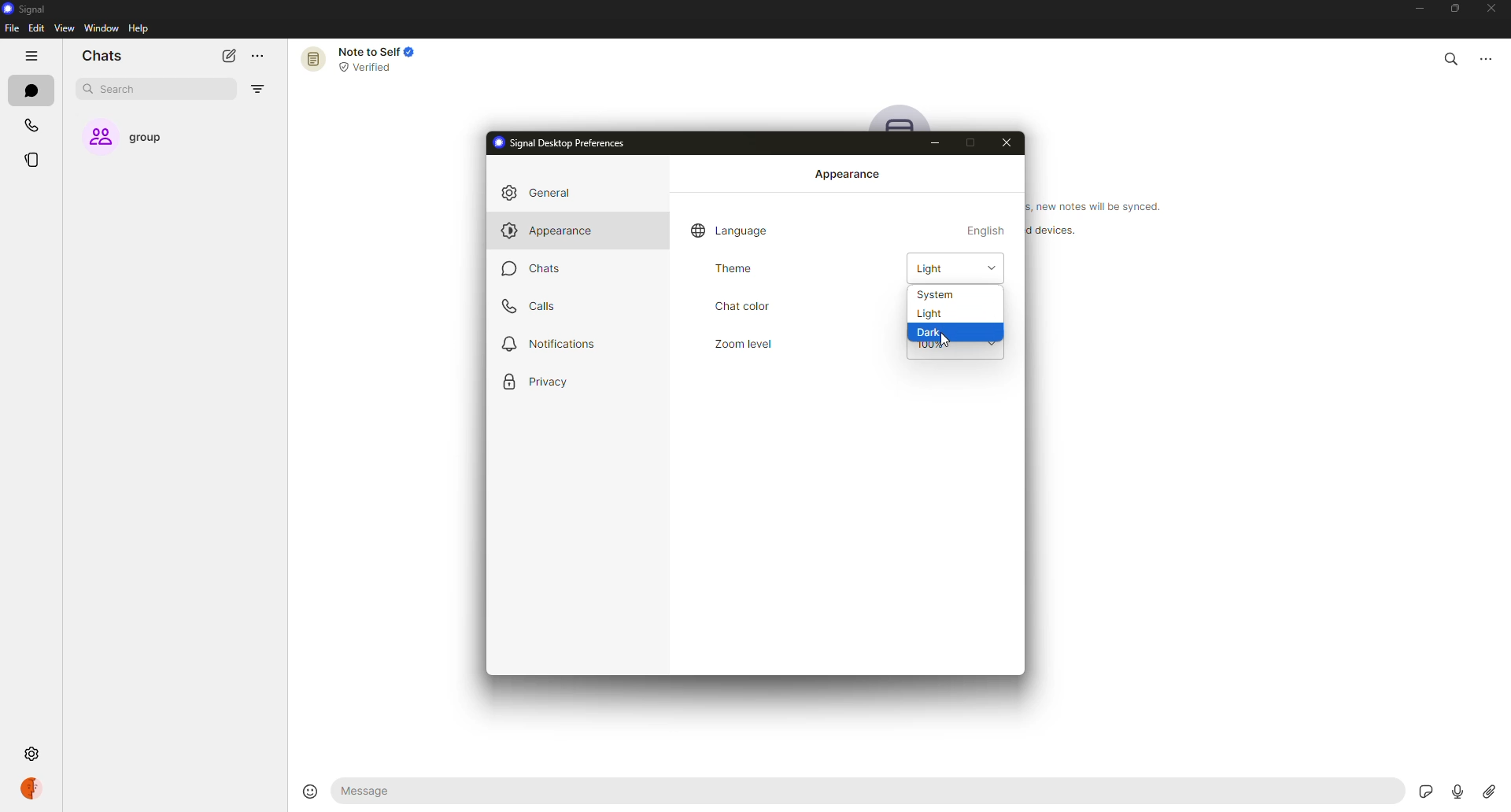  Describe the element at coordinates (968, 143) in the screenshot. I see `maximize` at that location.